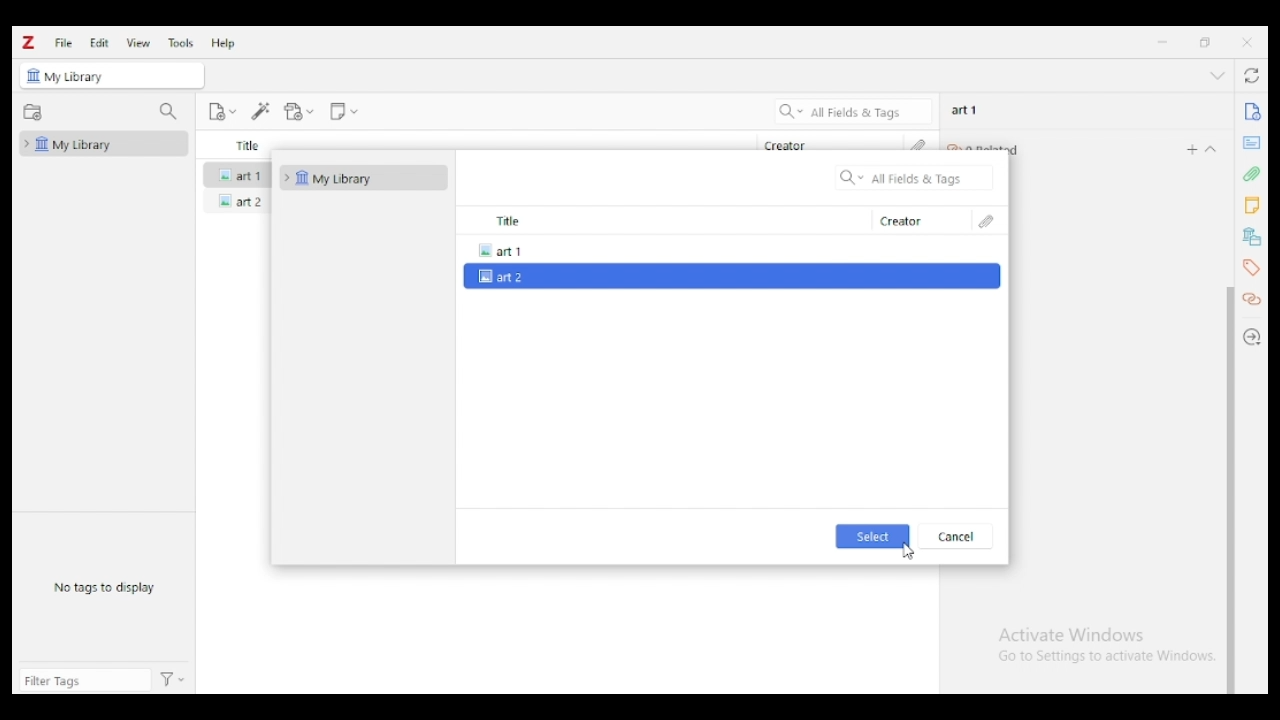  What do you see at coordinates (1247, 42) in the screenshot?
I see `close` at bounding box center [1247, 42].